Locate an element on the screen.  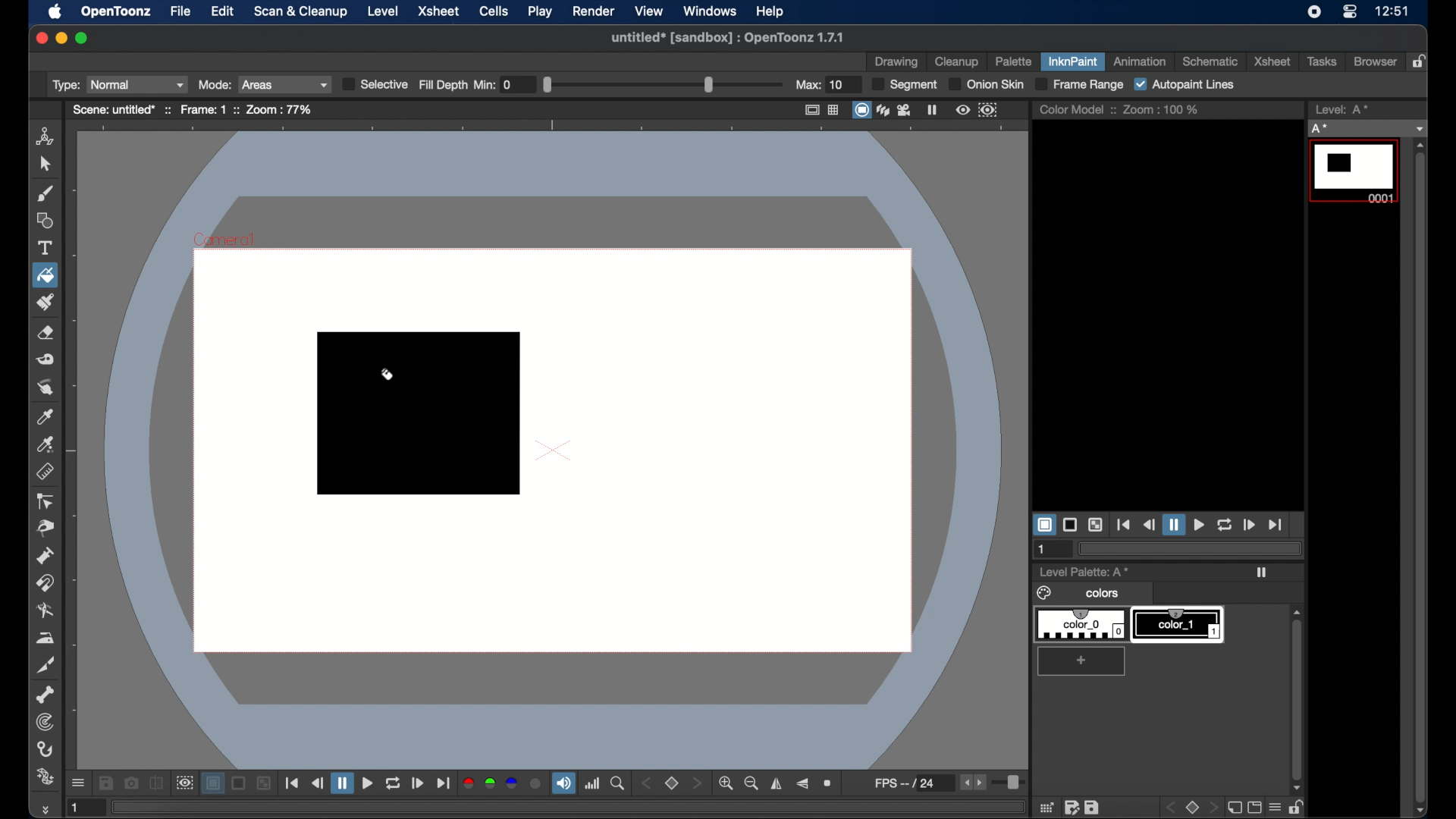
edit is located at coordinates (1072, 807).